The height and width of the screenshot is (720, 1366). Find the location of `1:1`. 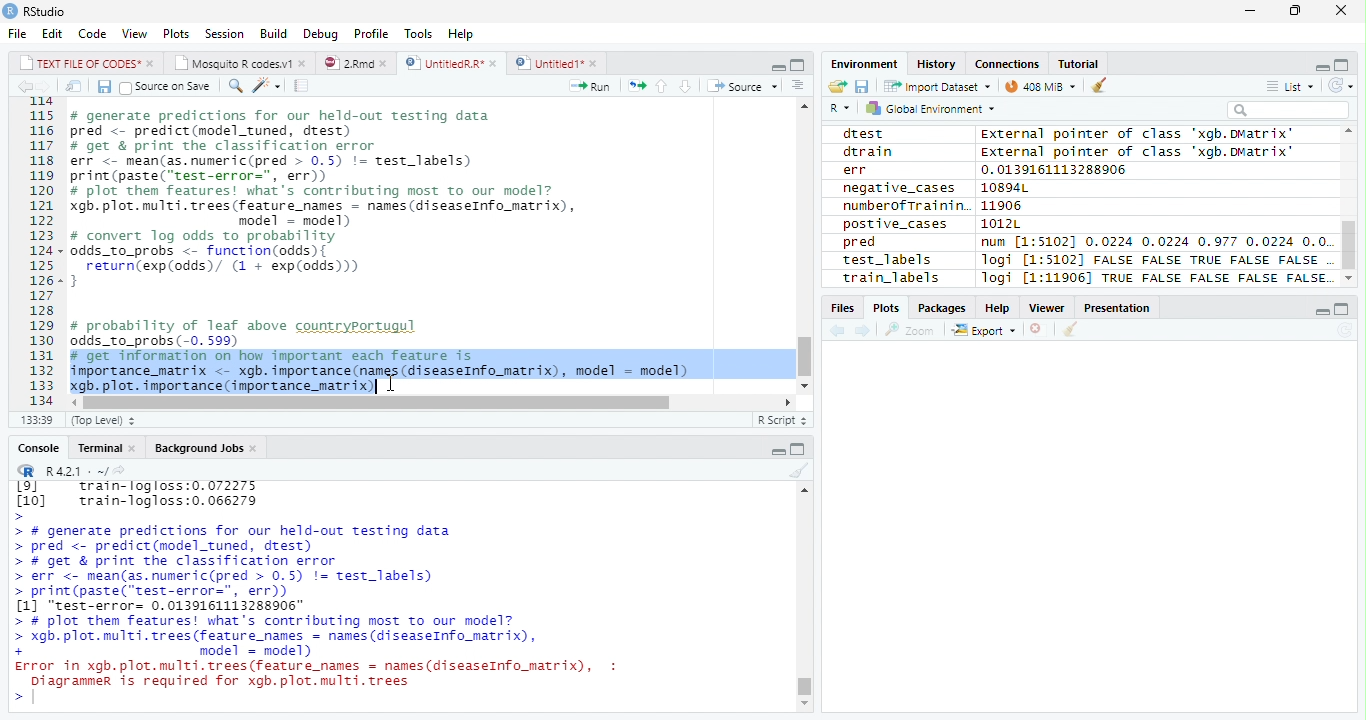

1:1 is located at coordinates (38, 419).